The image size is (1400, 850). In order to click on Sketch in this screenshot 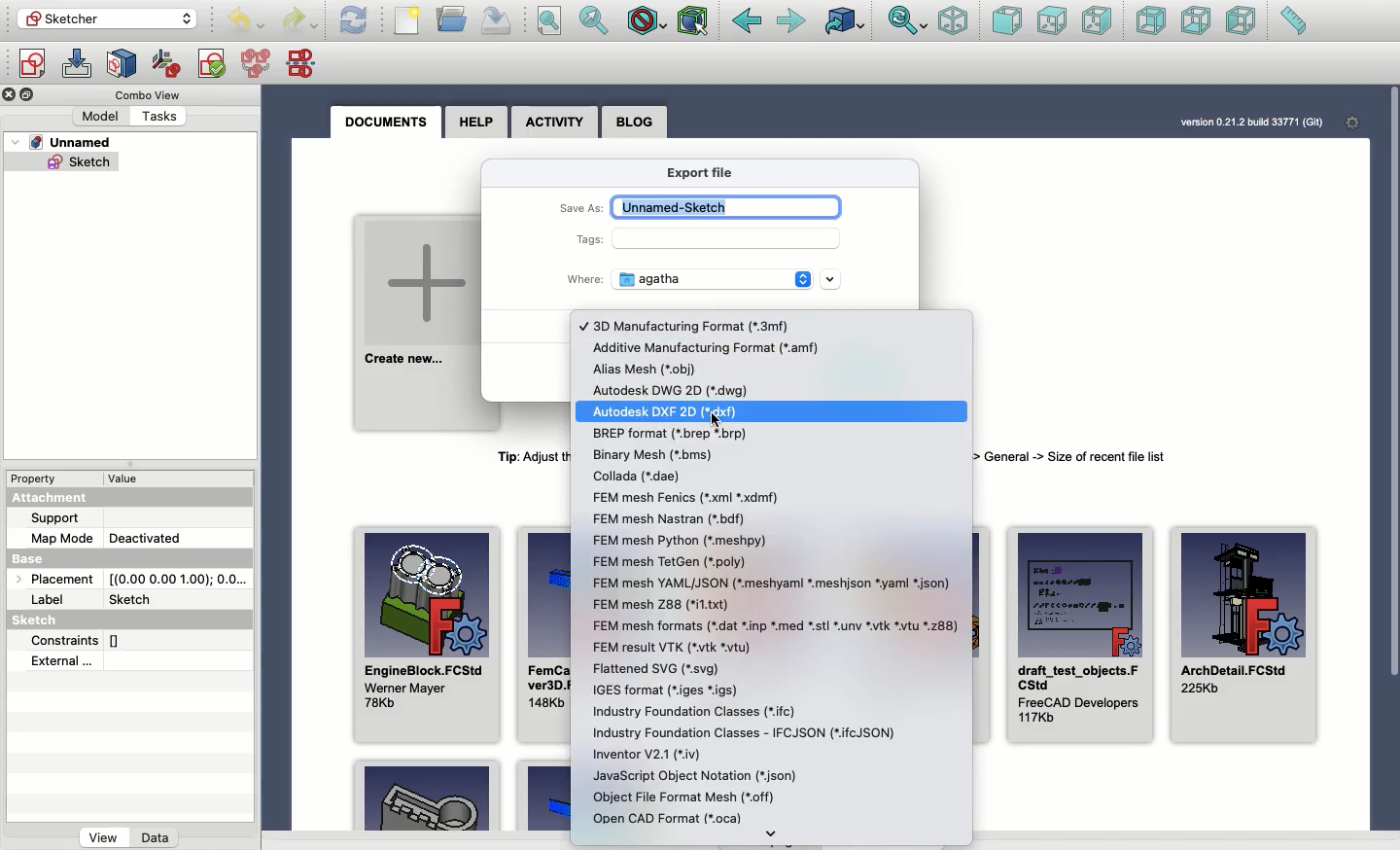, I will do `click(64, 164)`.